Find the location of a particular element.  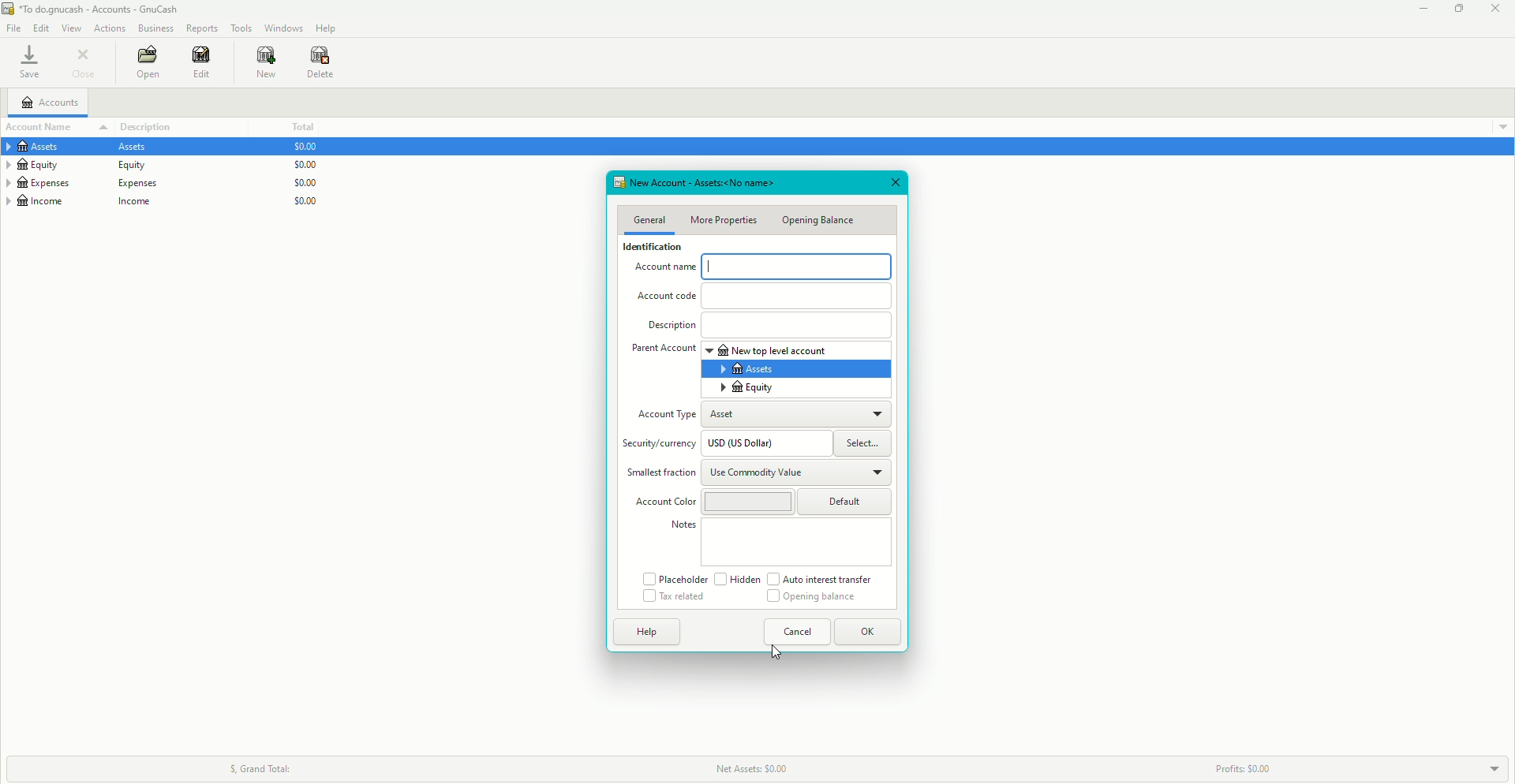

Minimize is located at coordinates (1419, 9).